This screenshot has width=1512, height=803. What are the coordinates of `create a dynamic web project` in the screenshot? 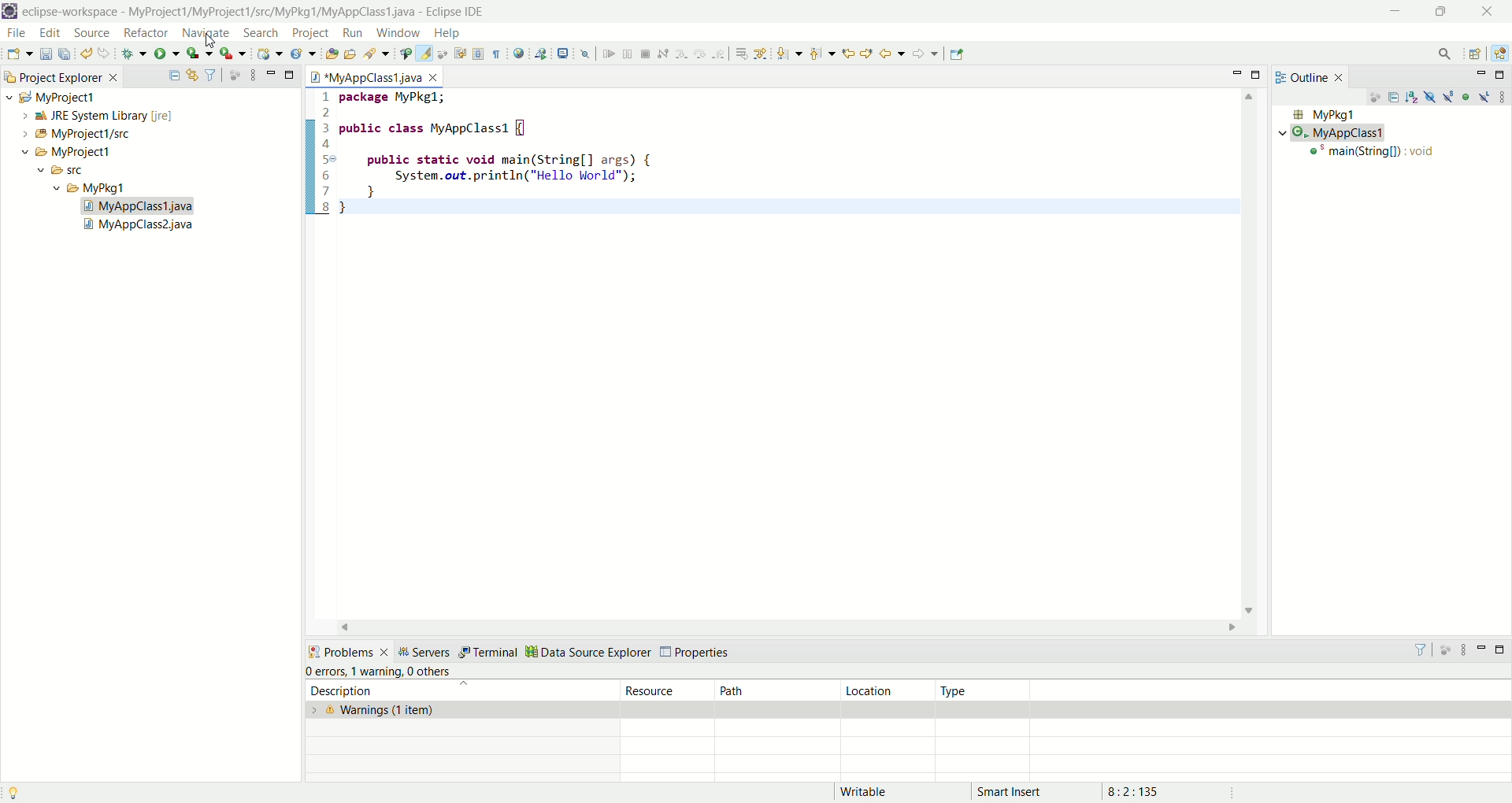 It's located at (270, 54).